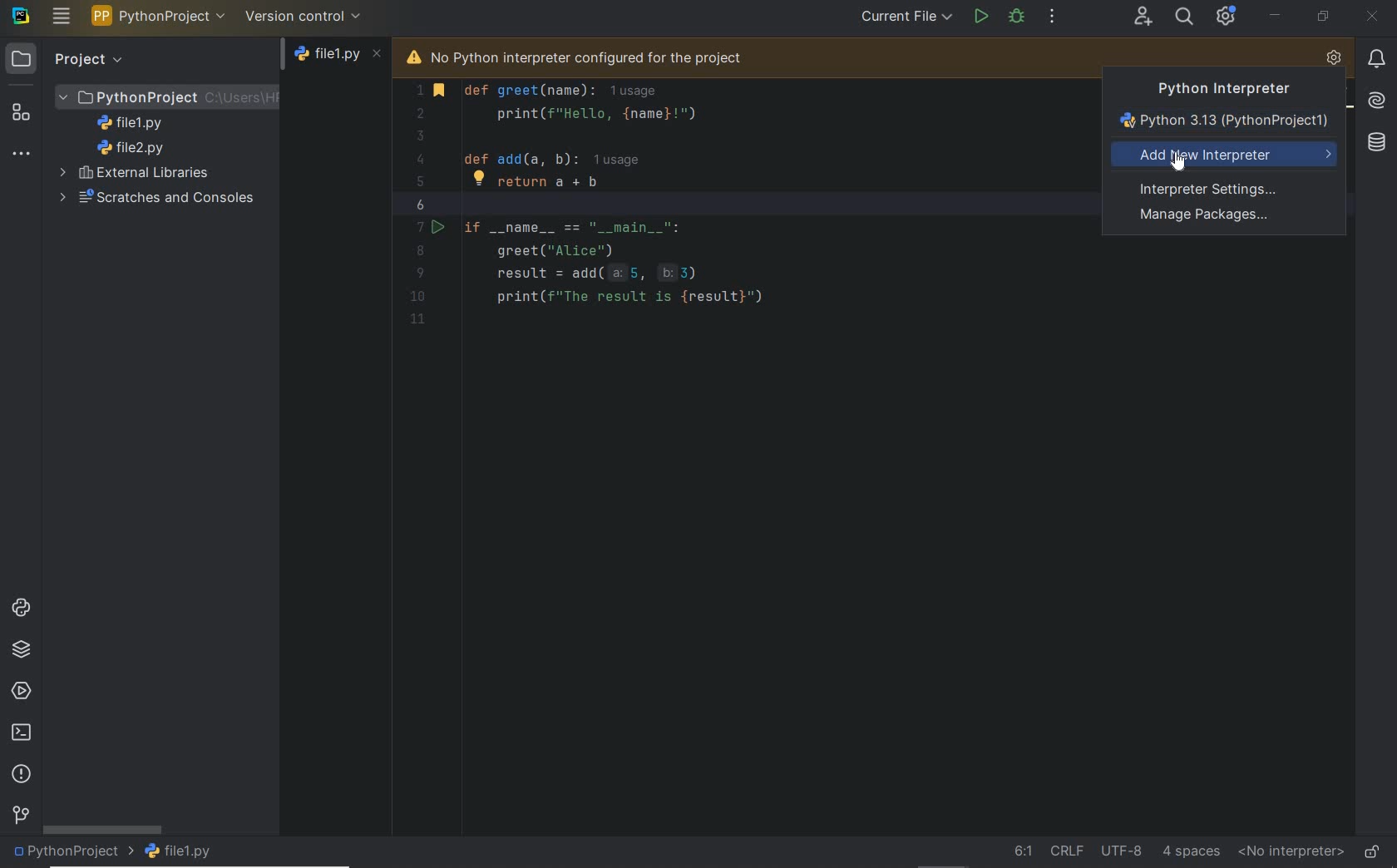 Image resolution: width=1397 pixels, height=868 pixels. Describe the element at coordinates (21, 16) in the screenshot. I see `system name` at that location.